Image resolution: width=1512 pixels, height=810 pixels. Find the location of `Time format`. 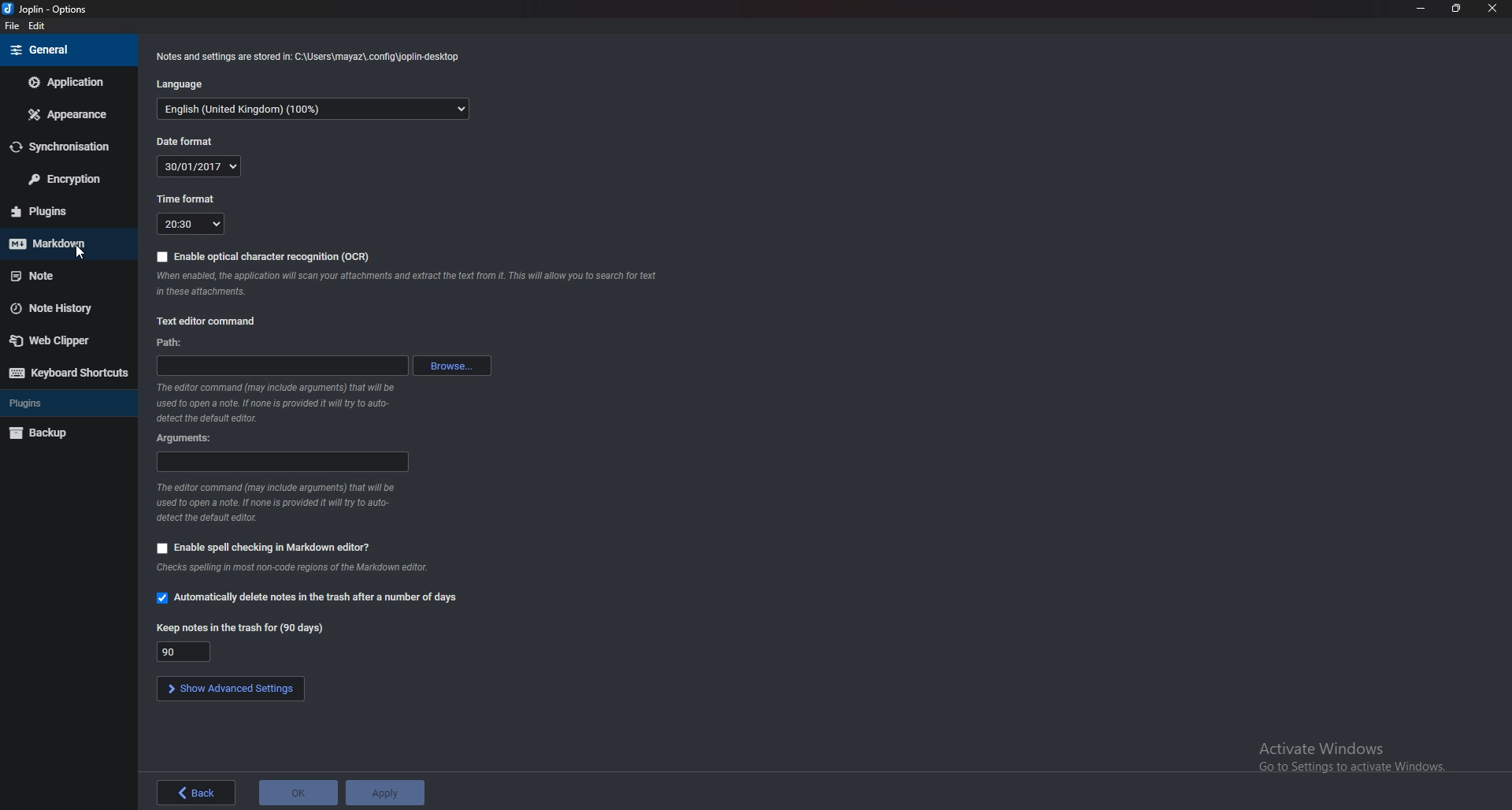

Time format is located at coordinates (191, 225).